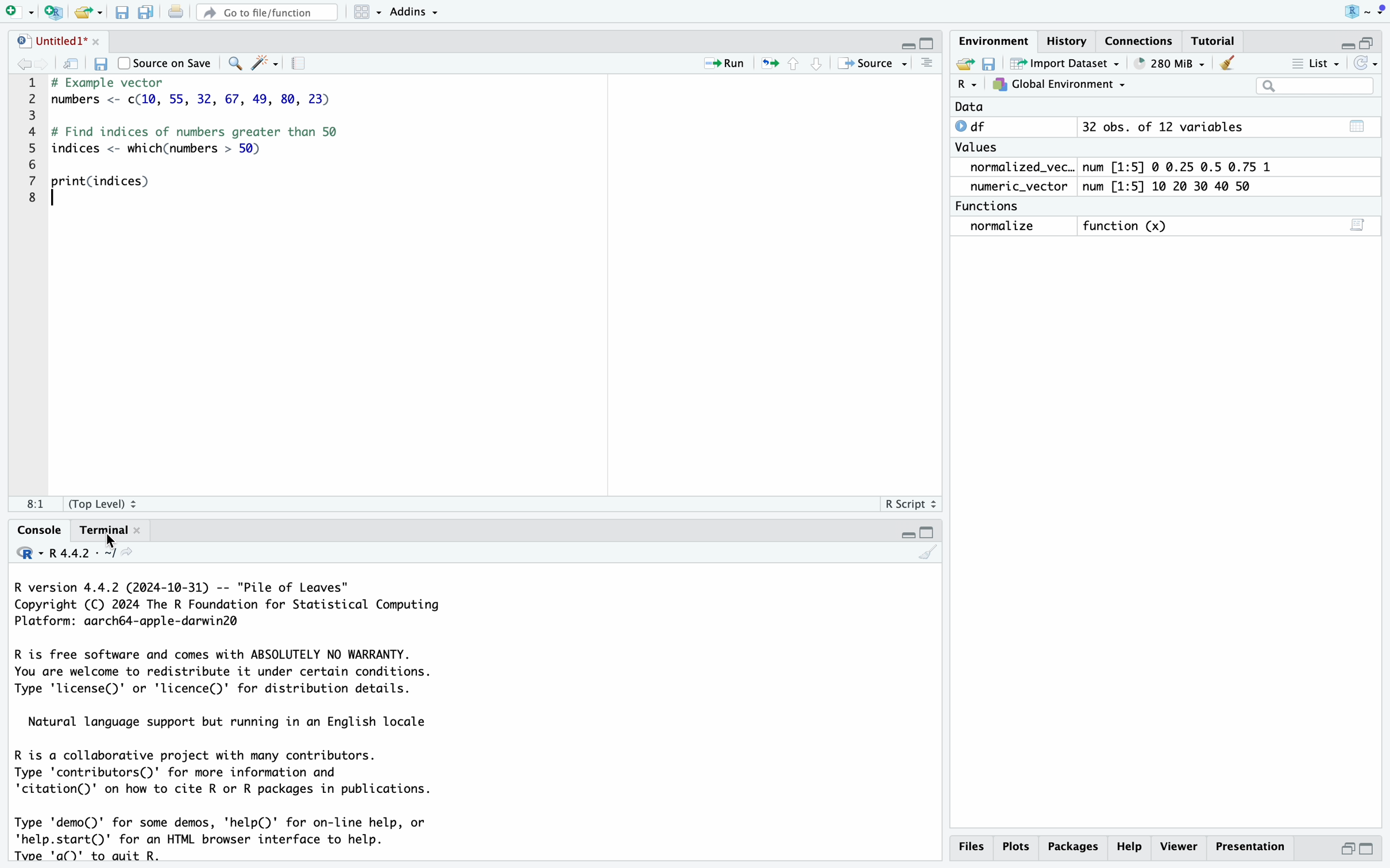 The image size is (1390, 868). I want to click on SHARE, so click(963, 64).